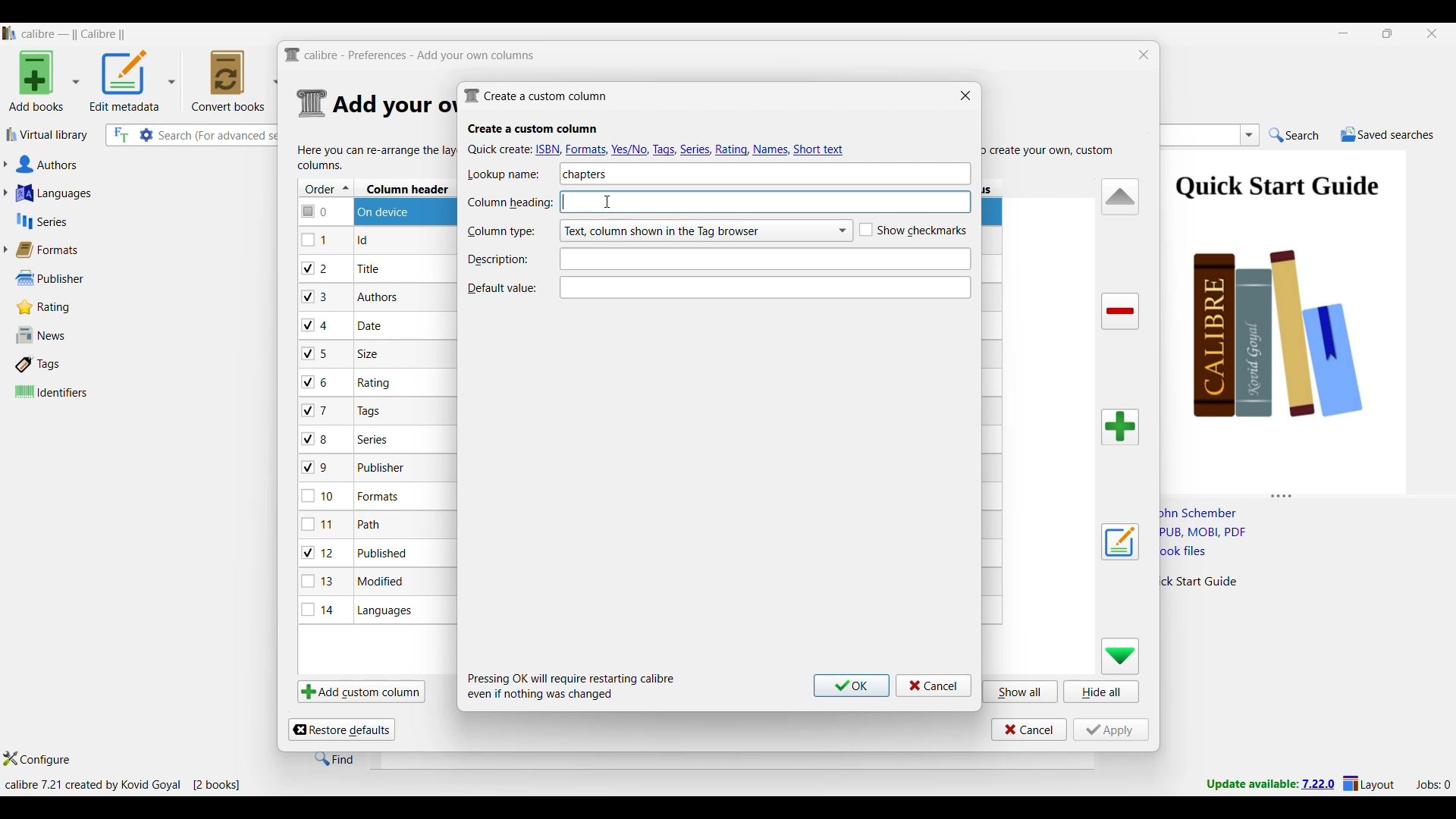 The width and height of the screenshot is (1456, 819). I want to click on Apply, so click(1111, 730).